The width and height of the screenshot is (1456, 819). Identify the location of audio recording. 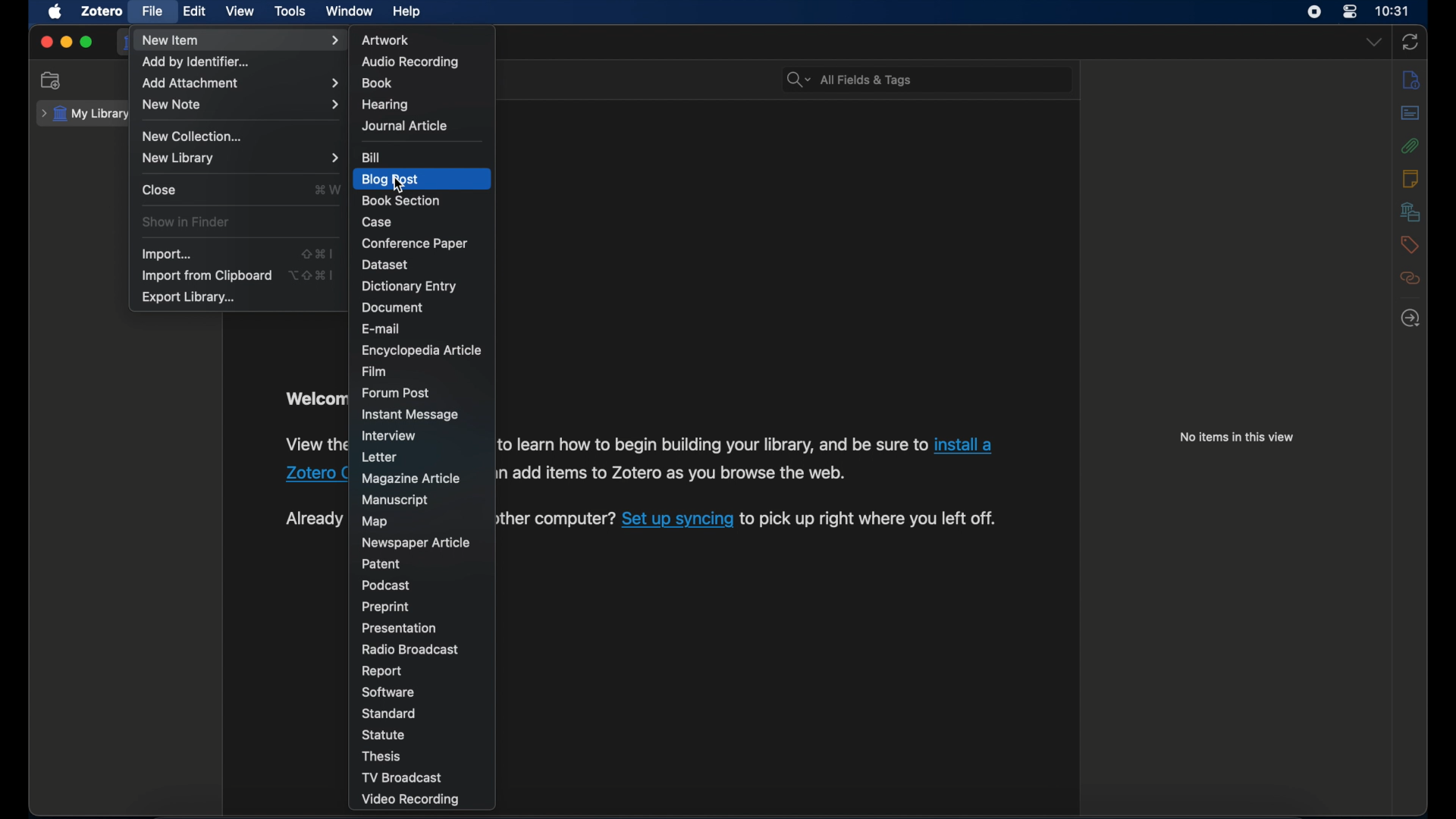
(409, 61).